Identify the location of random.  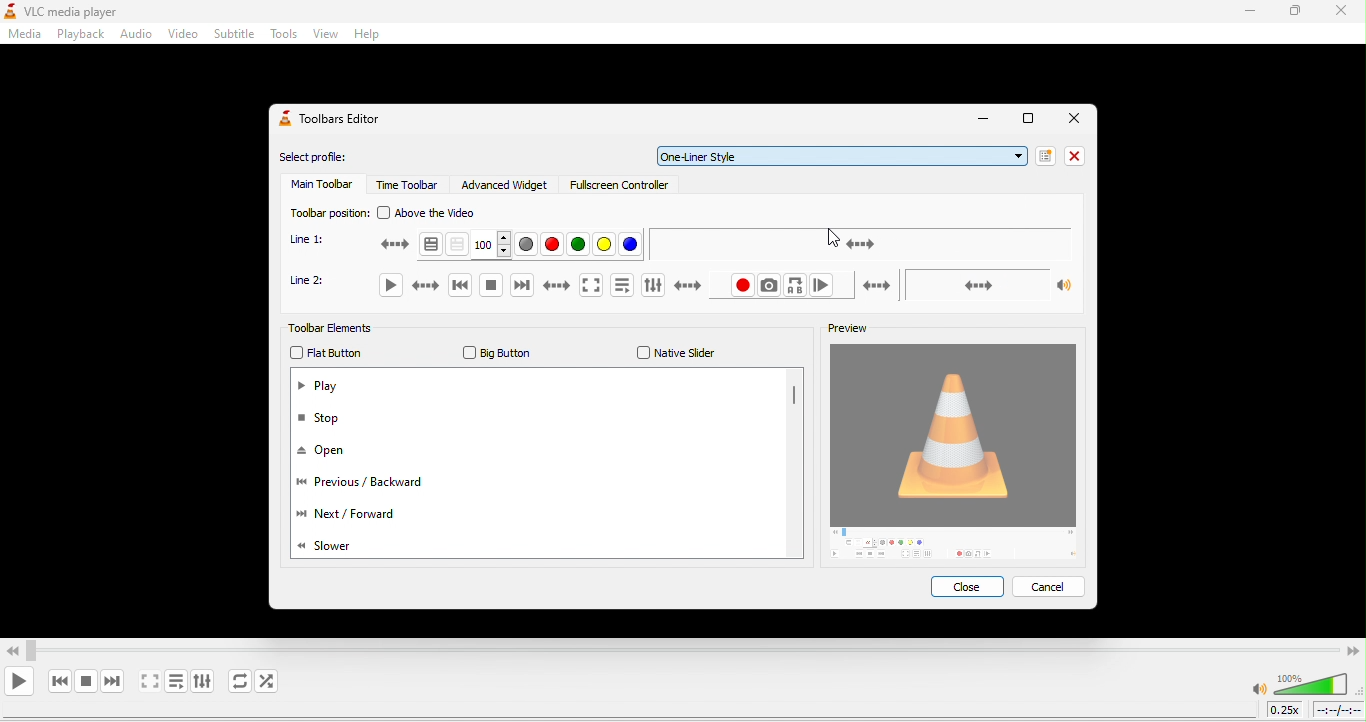
(274, 683).